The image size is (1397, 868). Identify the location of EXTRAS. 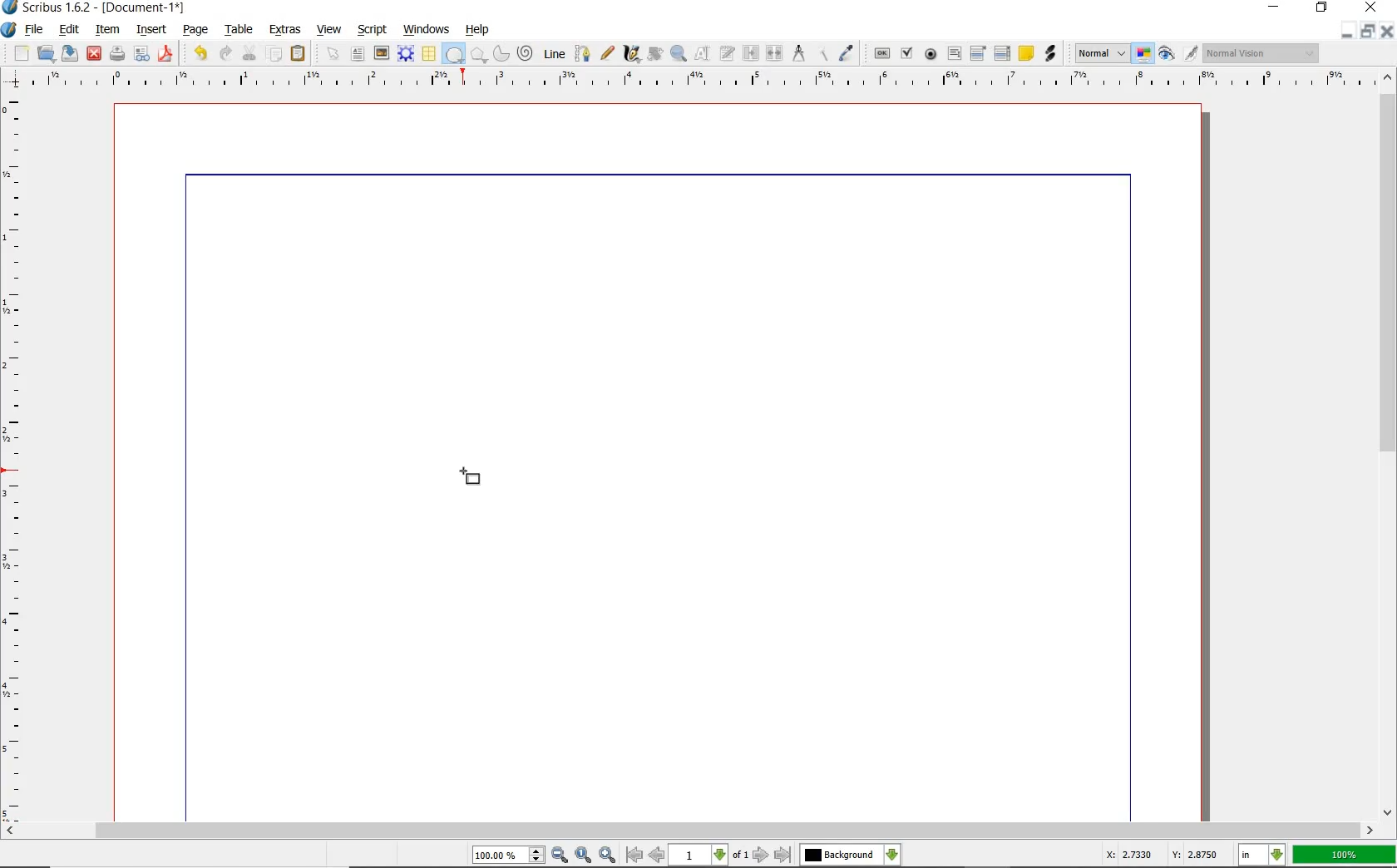
(285, 30).